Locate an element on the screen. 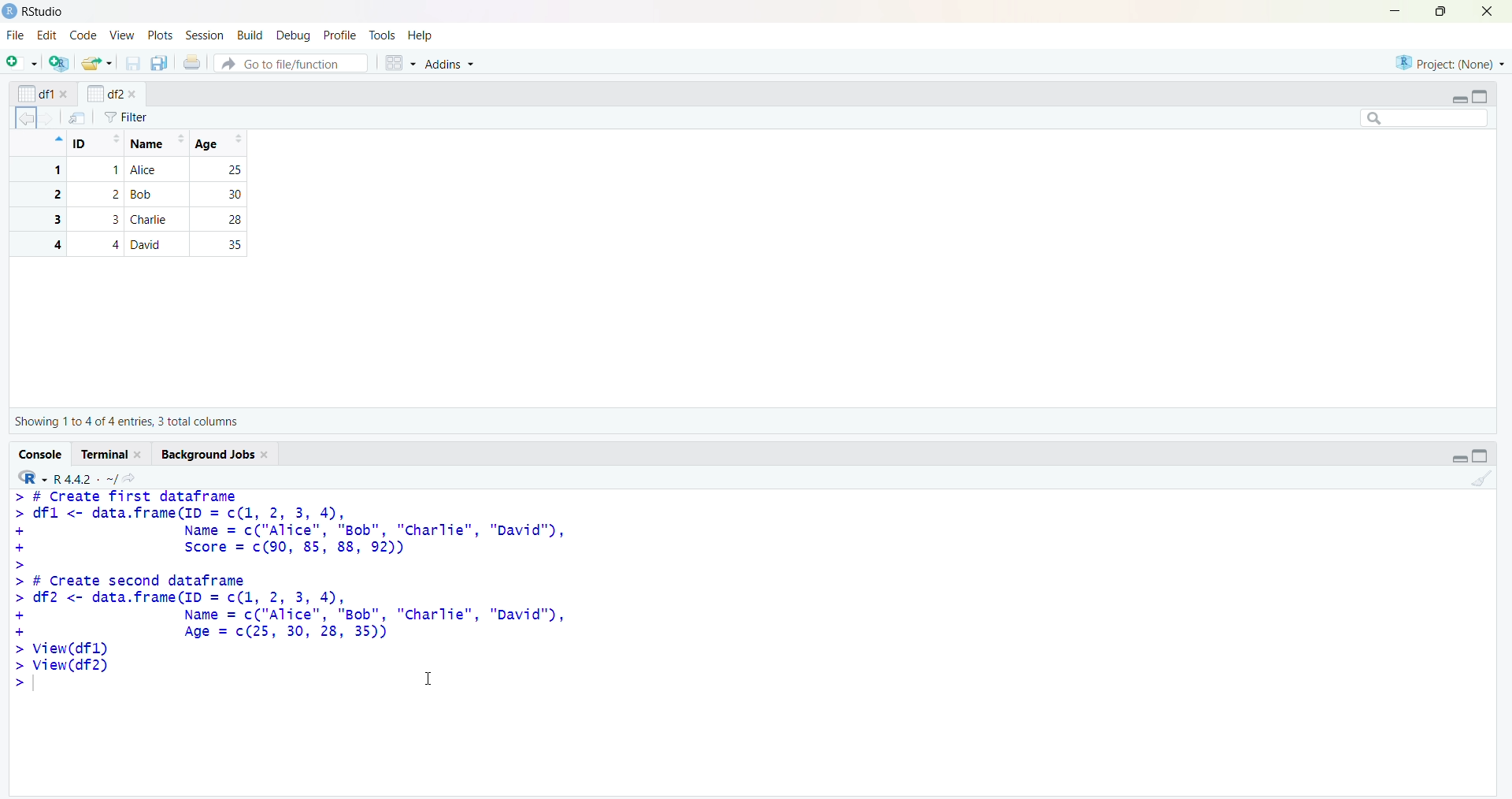  Go to file/function is located at coordinates (291, 63).